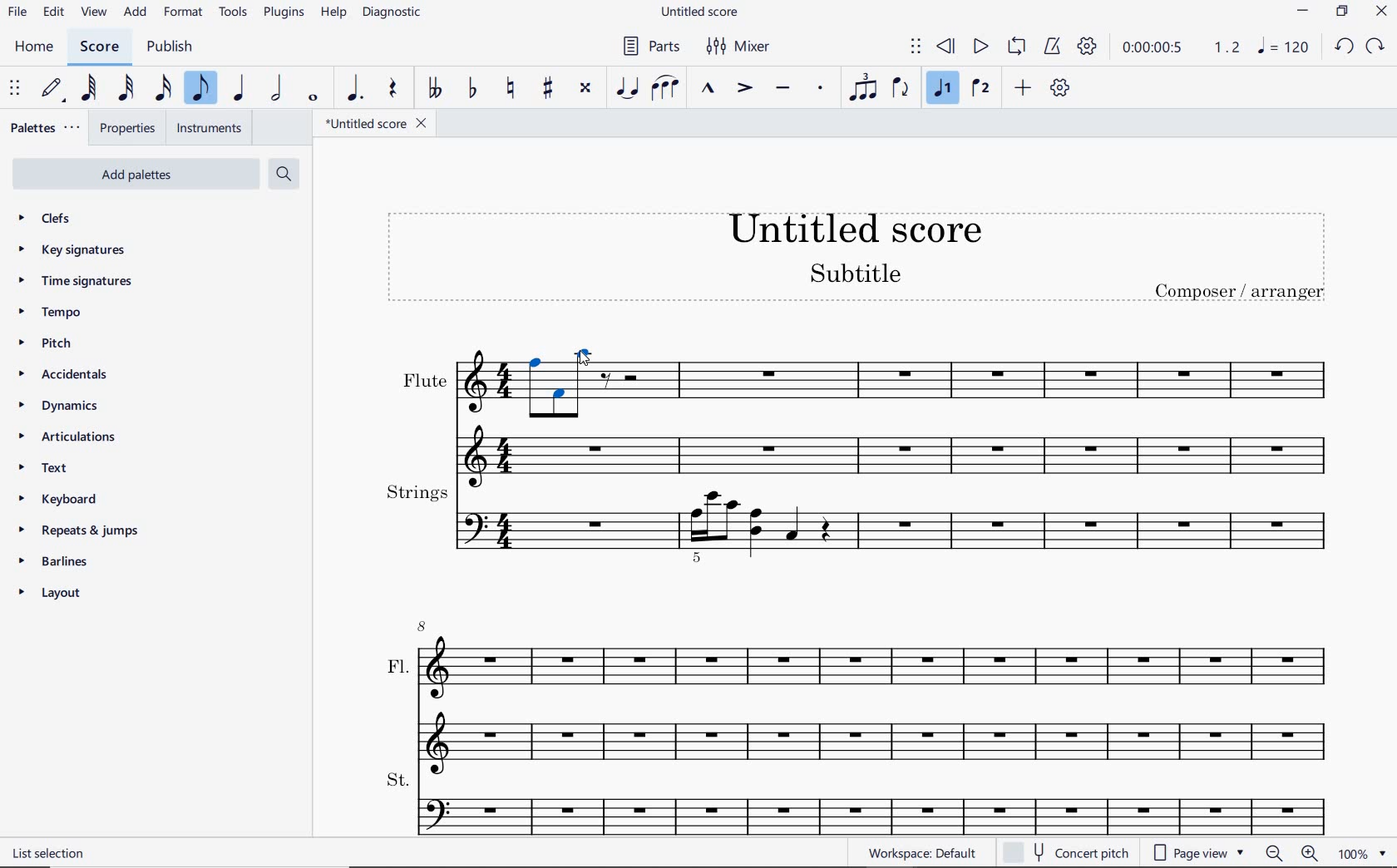 The width and height of the screenshot is (1397, 868). I want to click on QUARTER NOTE, so click(239, 91).